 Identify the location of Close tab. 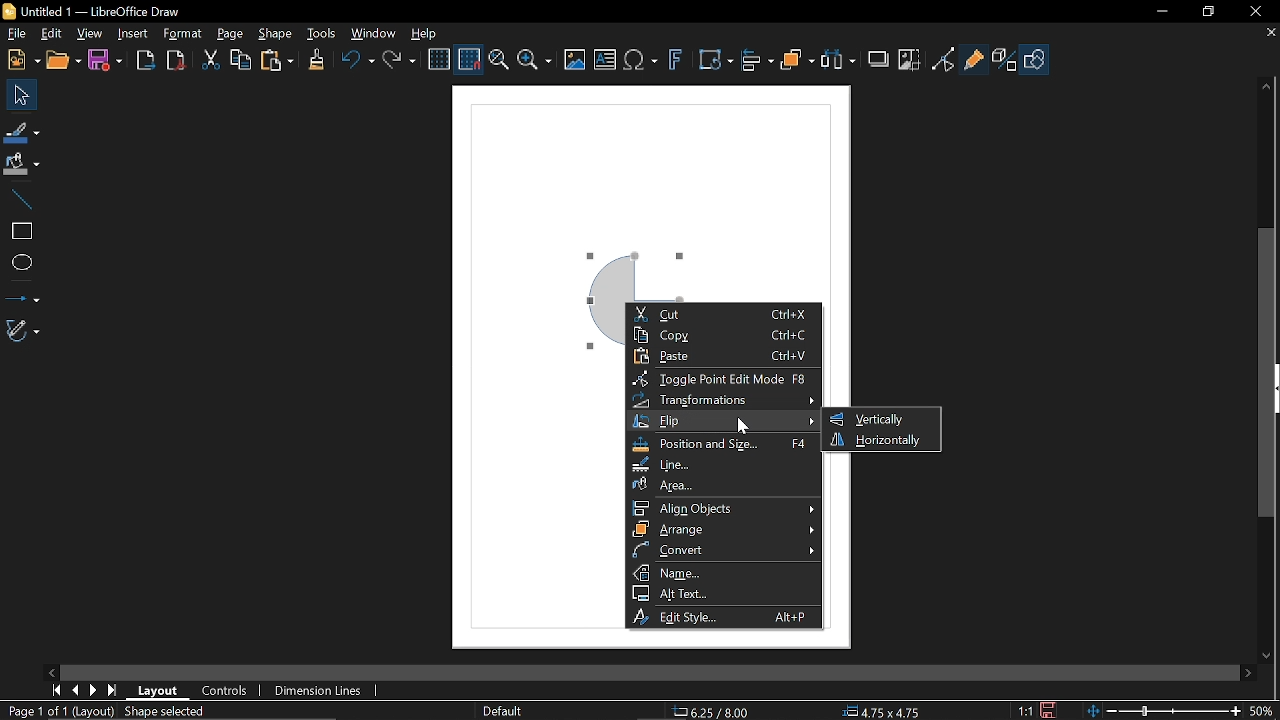
(1271, 33).